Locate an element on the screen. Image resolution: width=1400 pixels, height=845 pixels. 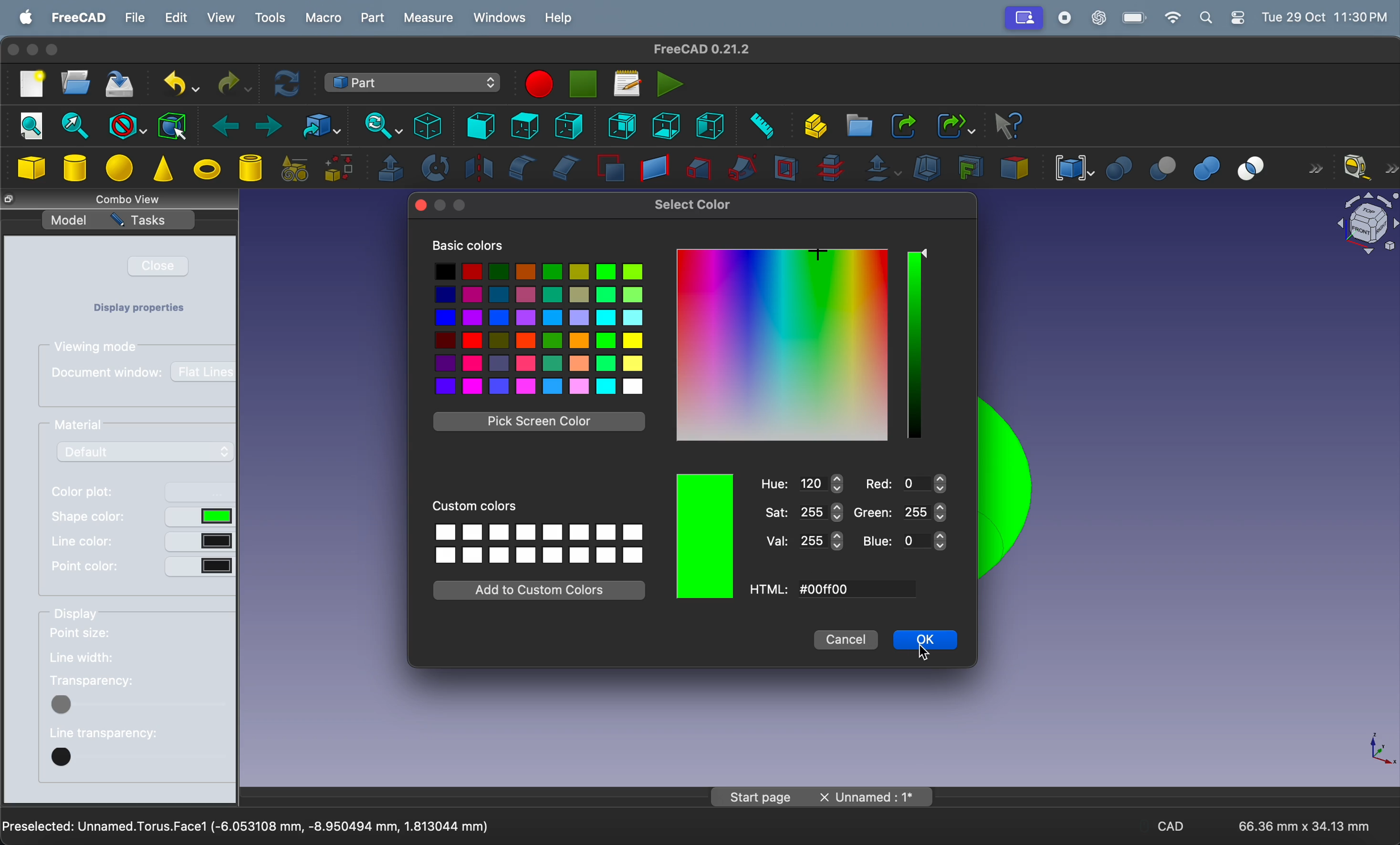
bounding box is located at coordinates (173, 125).